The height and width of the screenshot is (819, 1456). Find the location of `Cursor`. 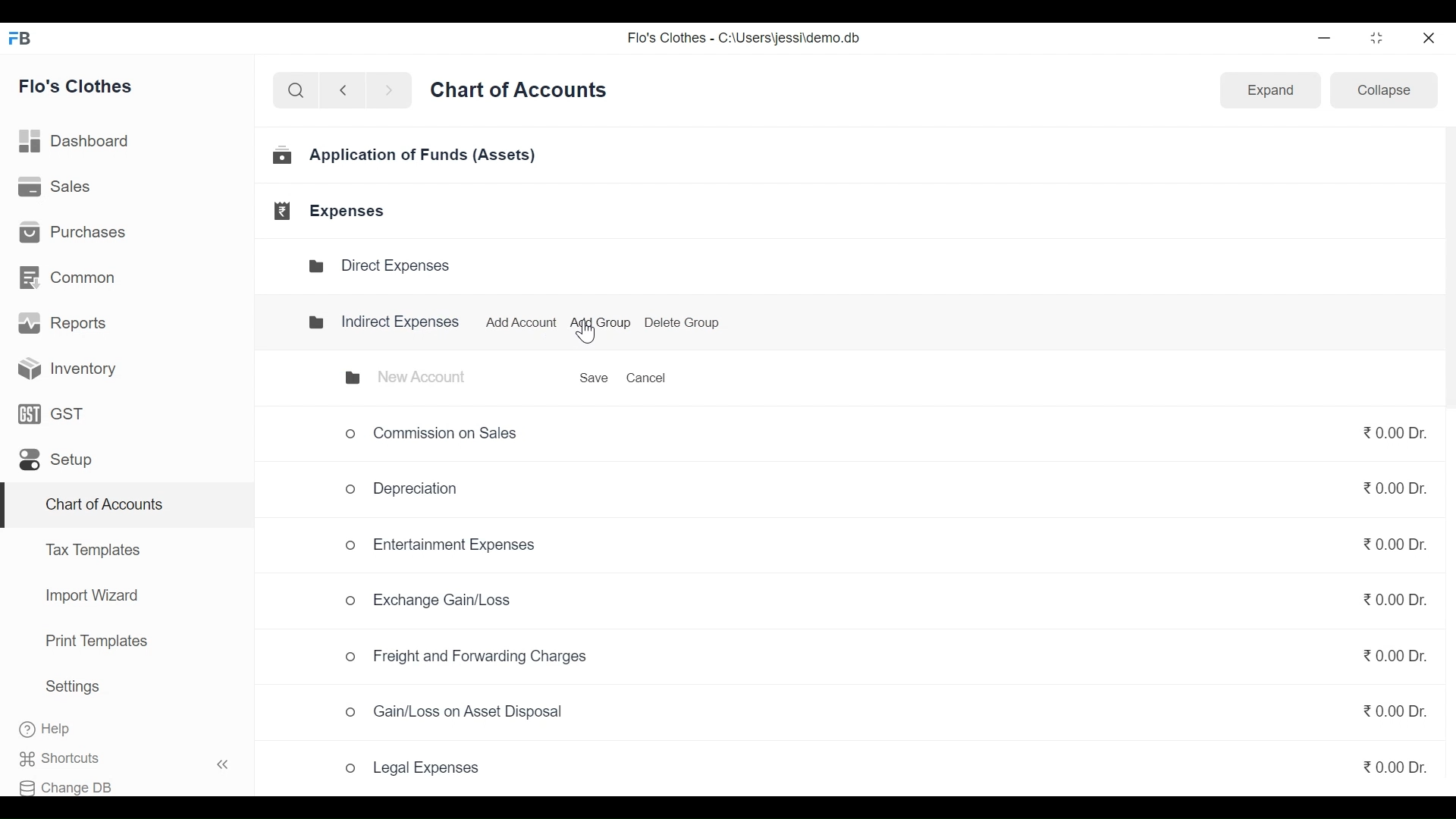

Cursor is located at coordinates (598, 337).